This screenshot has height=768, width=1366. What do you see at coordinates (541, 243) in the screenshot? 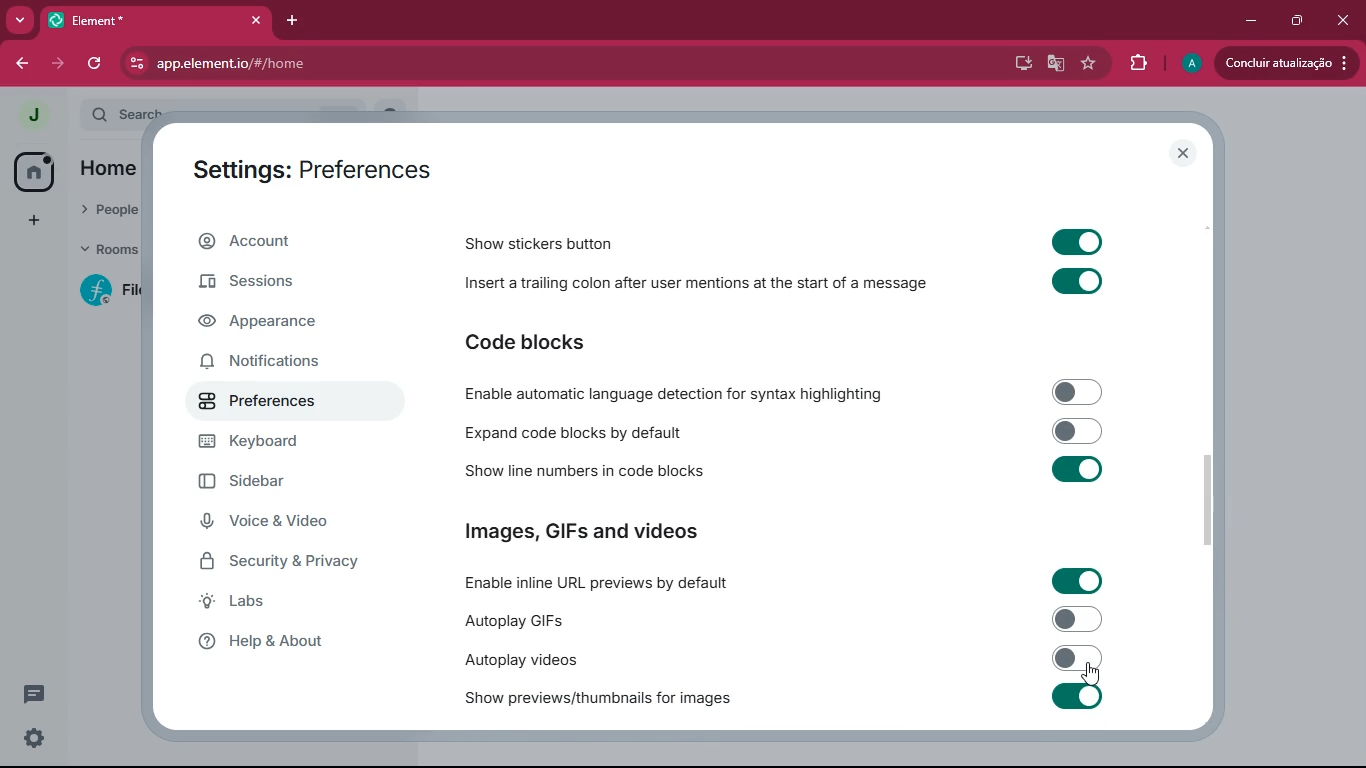
I see `show stickers button` at bounding box center [541, 243].